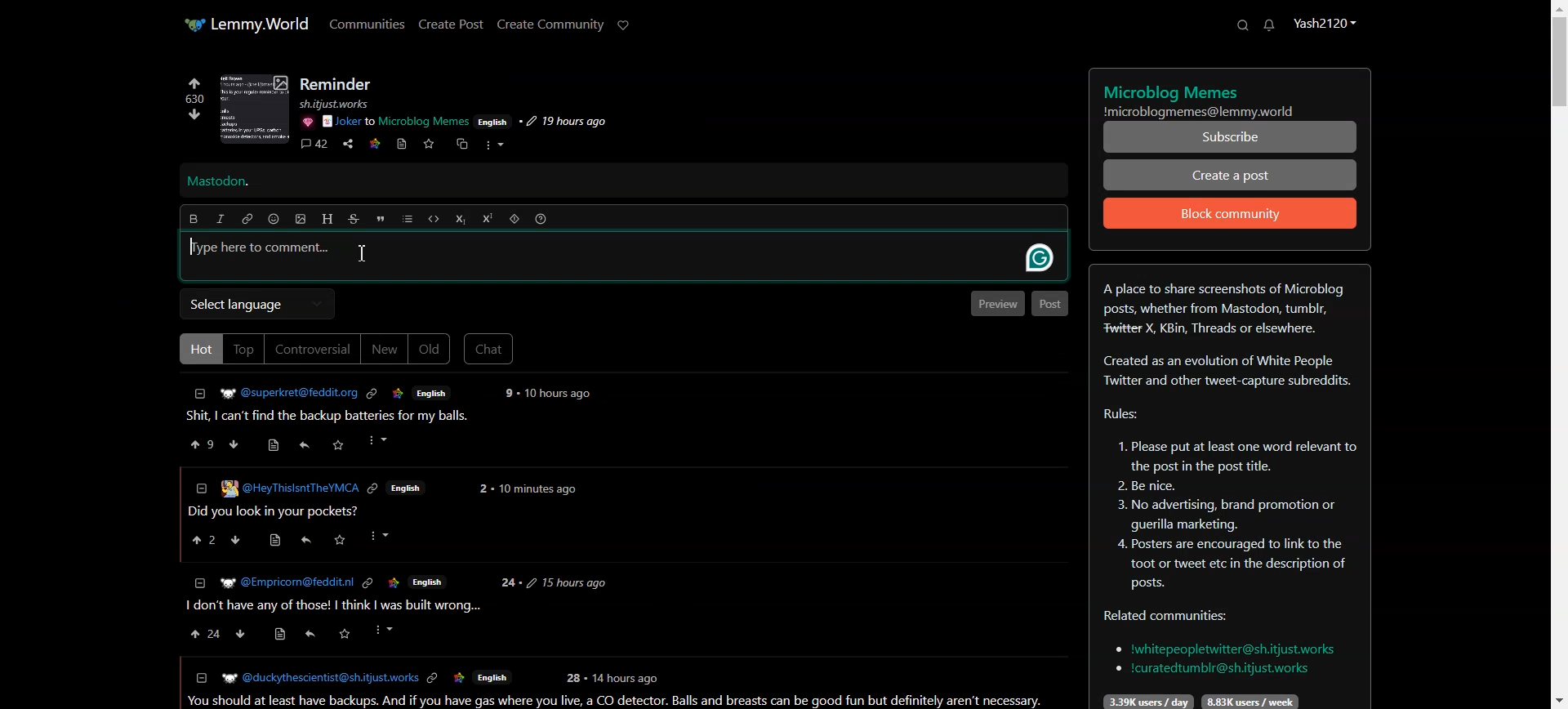 This screenshot has width=1568, height=709. I want to click on Hyperlink, so click(247, 219).